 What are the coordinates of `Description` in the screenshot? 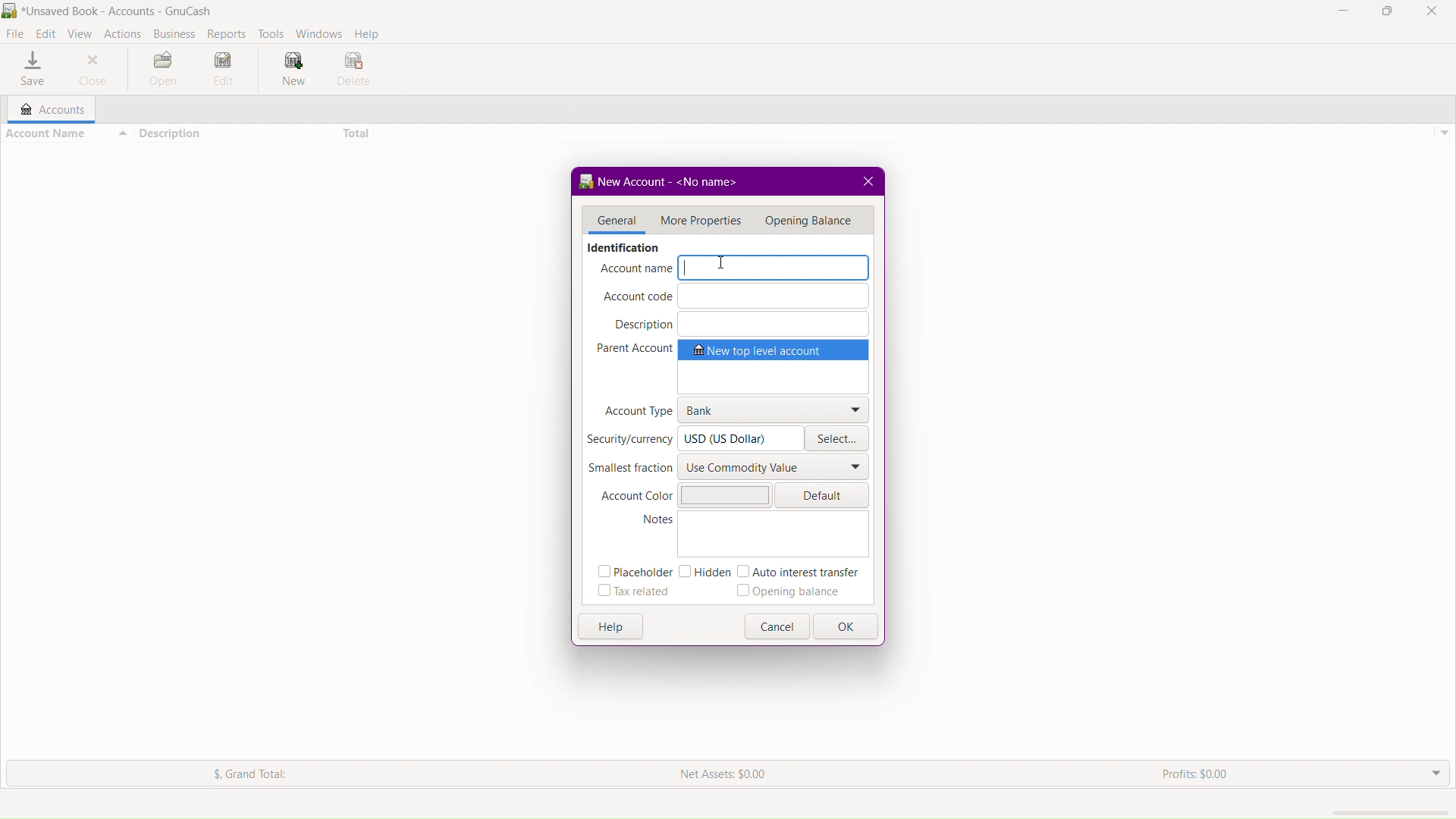 It's located at (738, 323).